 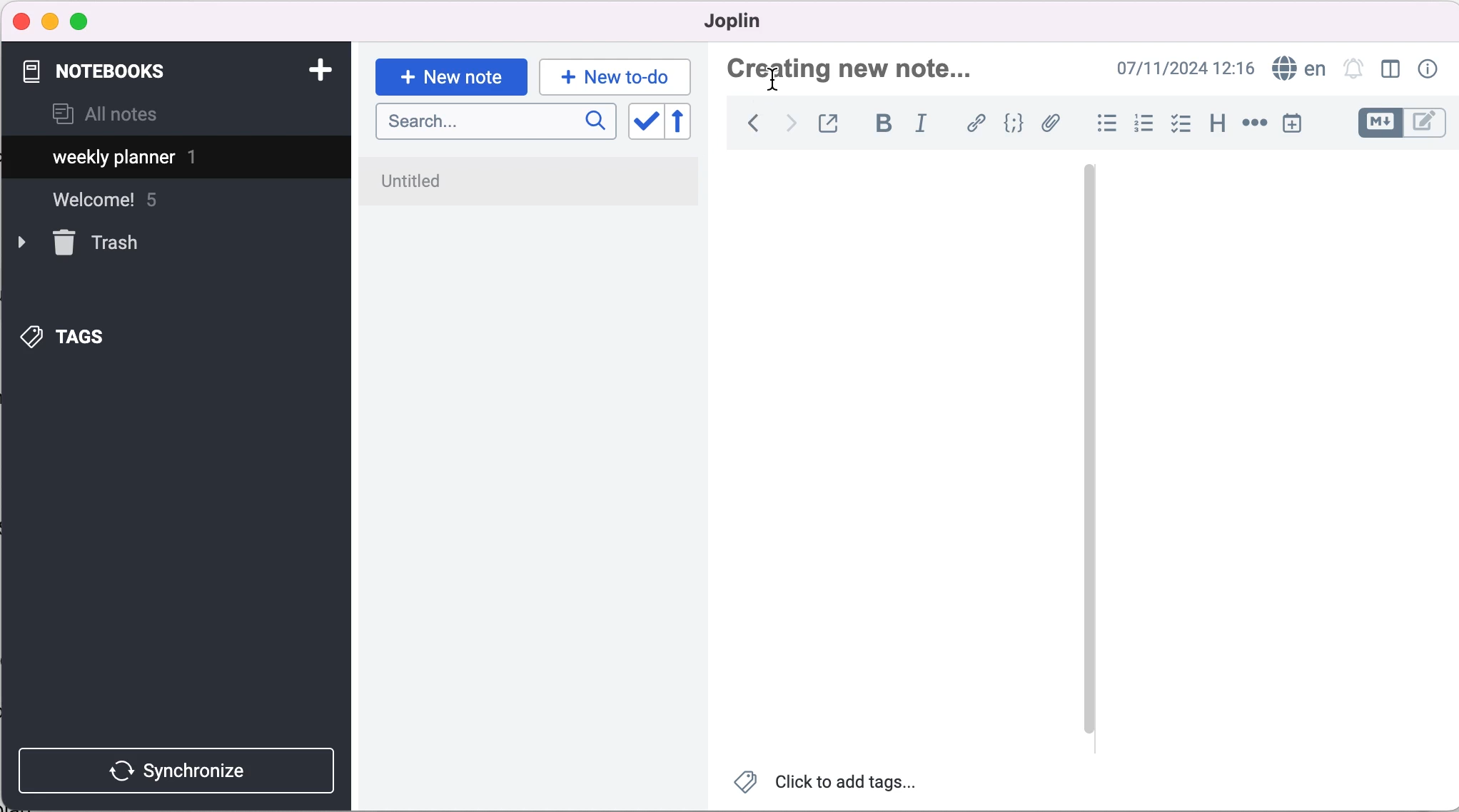 What do you see at coordinates (901, 454) in the screenshot?
I see `blank canvas` at bounding box center [901, 454].